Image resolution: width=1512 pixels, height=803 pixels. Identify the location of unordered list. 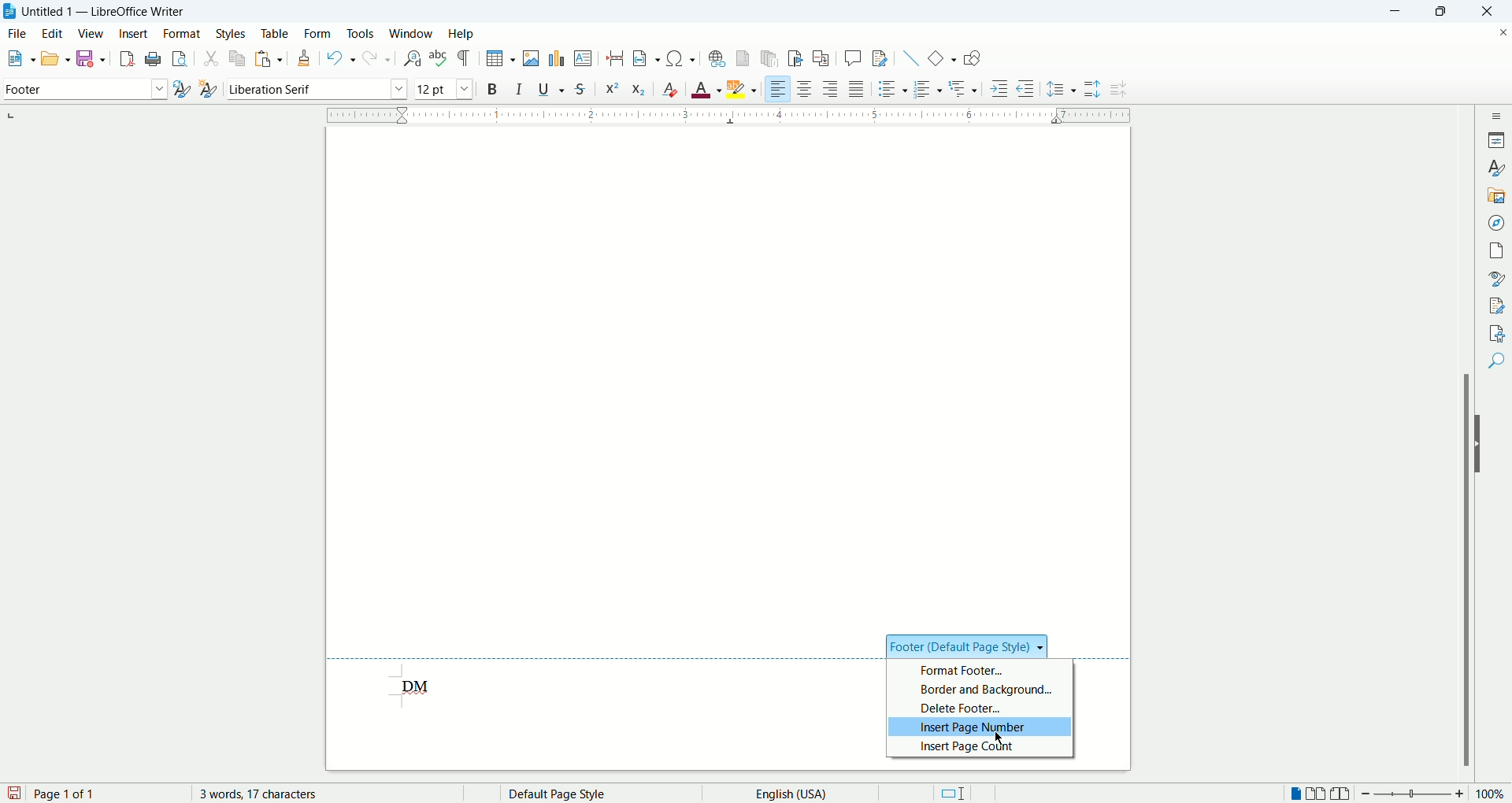
(890, 89).